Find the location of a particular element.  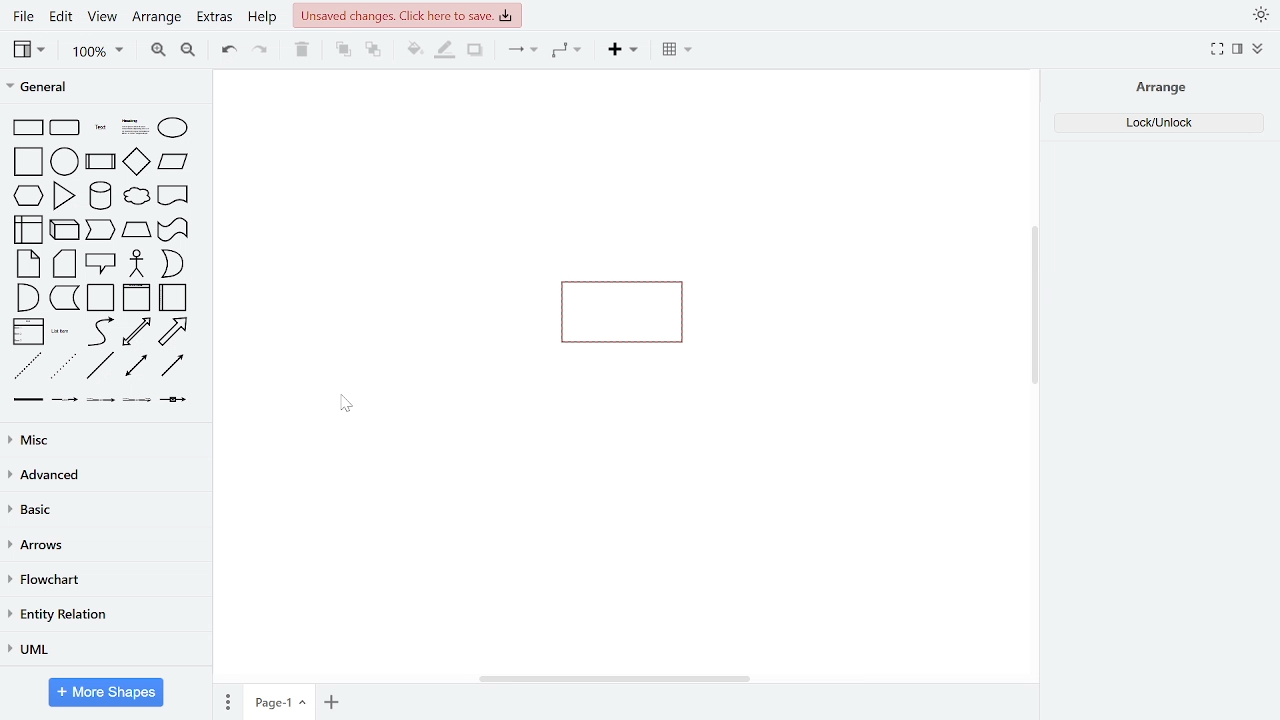

view is located at coordinates (32, 50).